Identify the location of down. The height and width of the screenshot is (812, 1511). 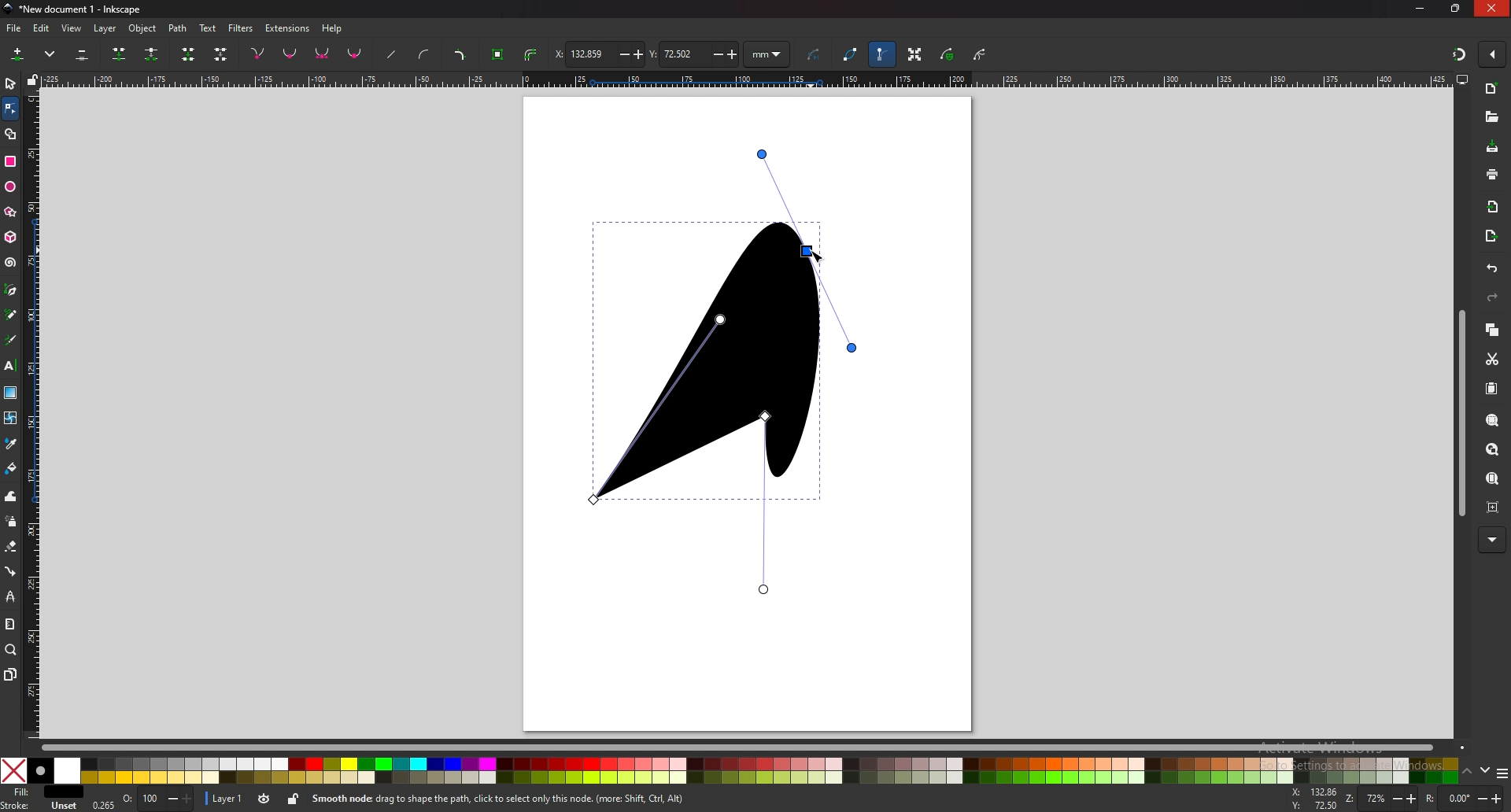
(1486, 771).